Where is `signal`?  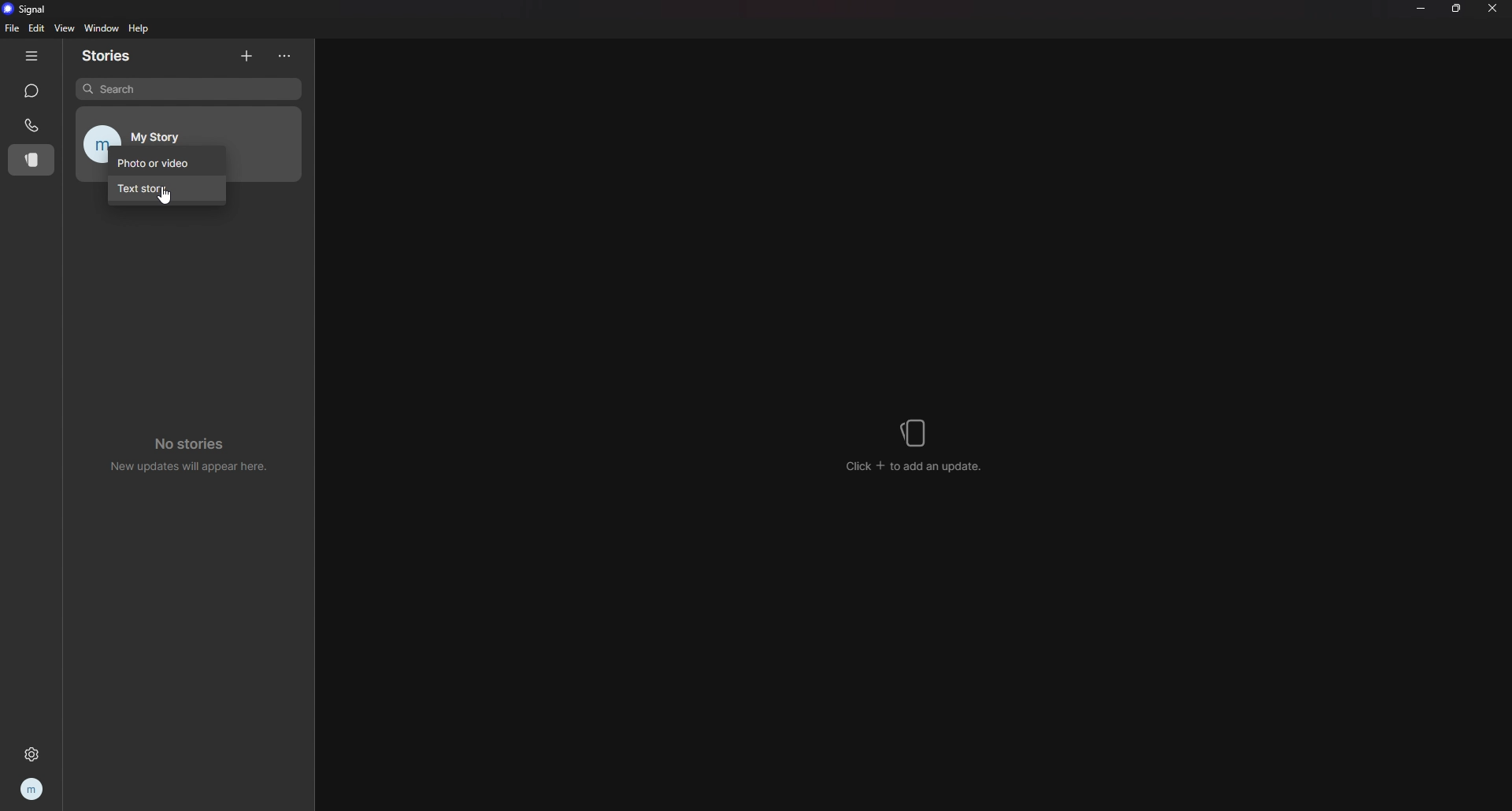
signal is located at coordinates (29, 9).